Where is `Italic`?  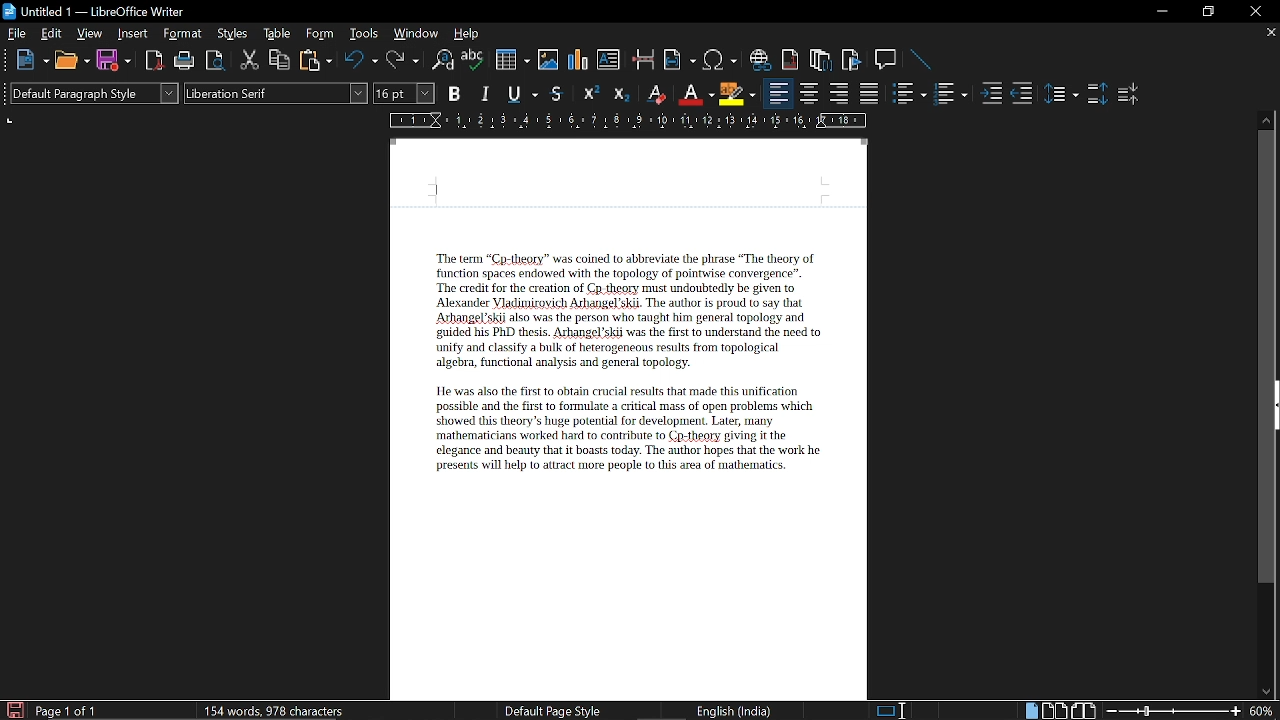
Italic is located at coordinates (485, 92).